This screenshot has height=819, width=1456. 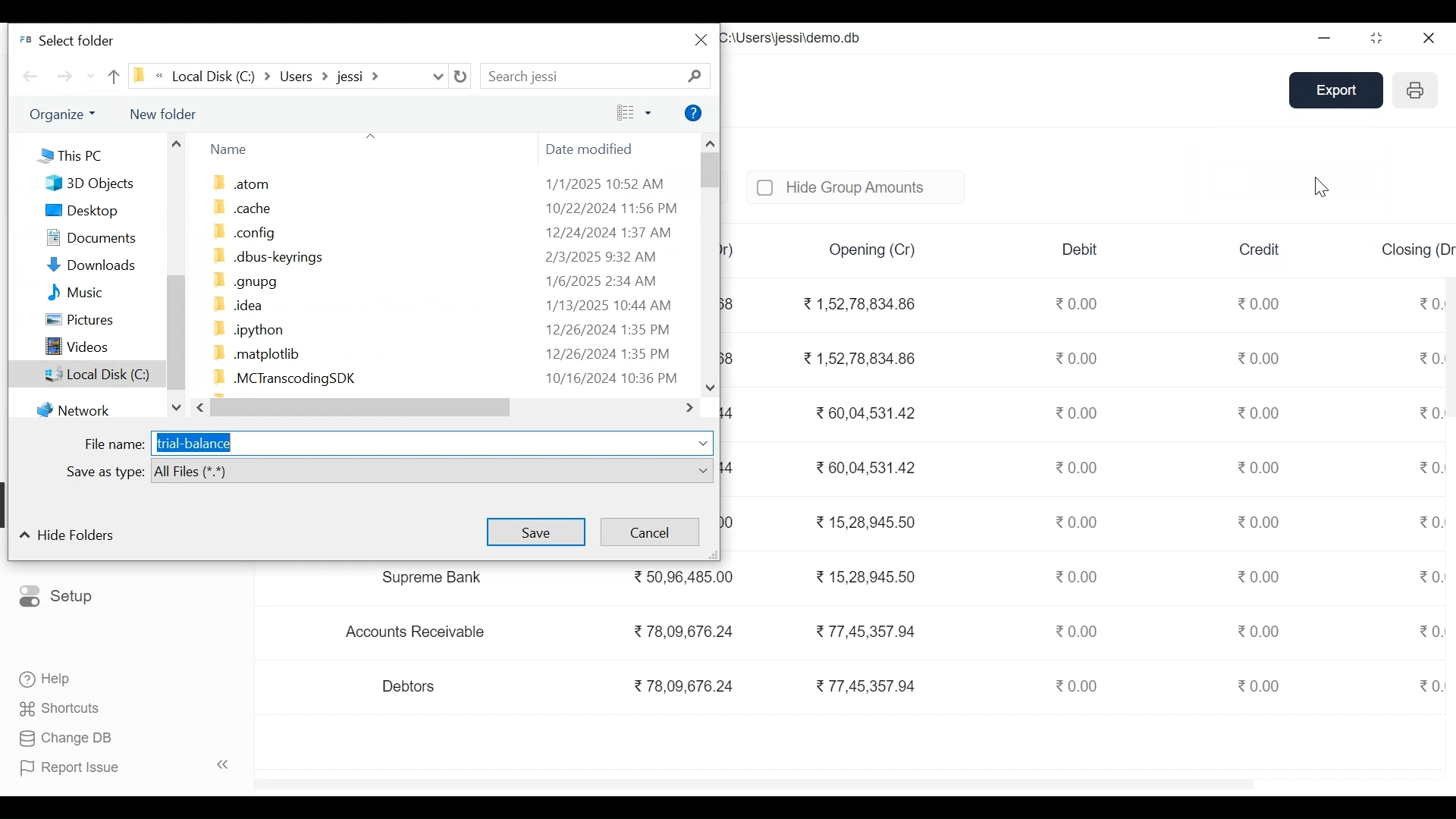 What do you see at coordinates (634, 112) in the screenshot?
I see `View` at bounding box center [634, 112].